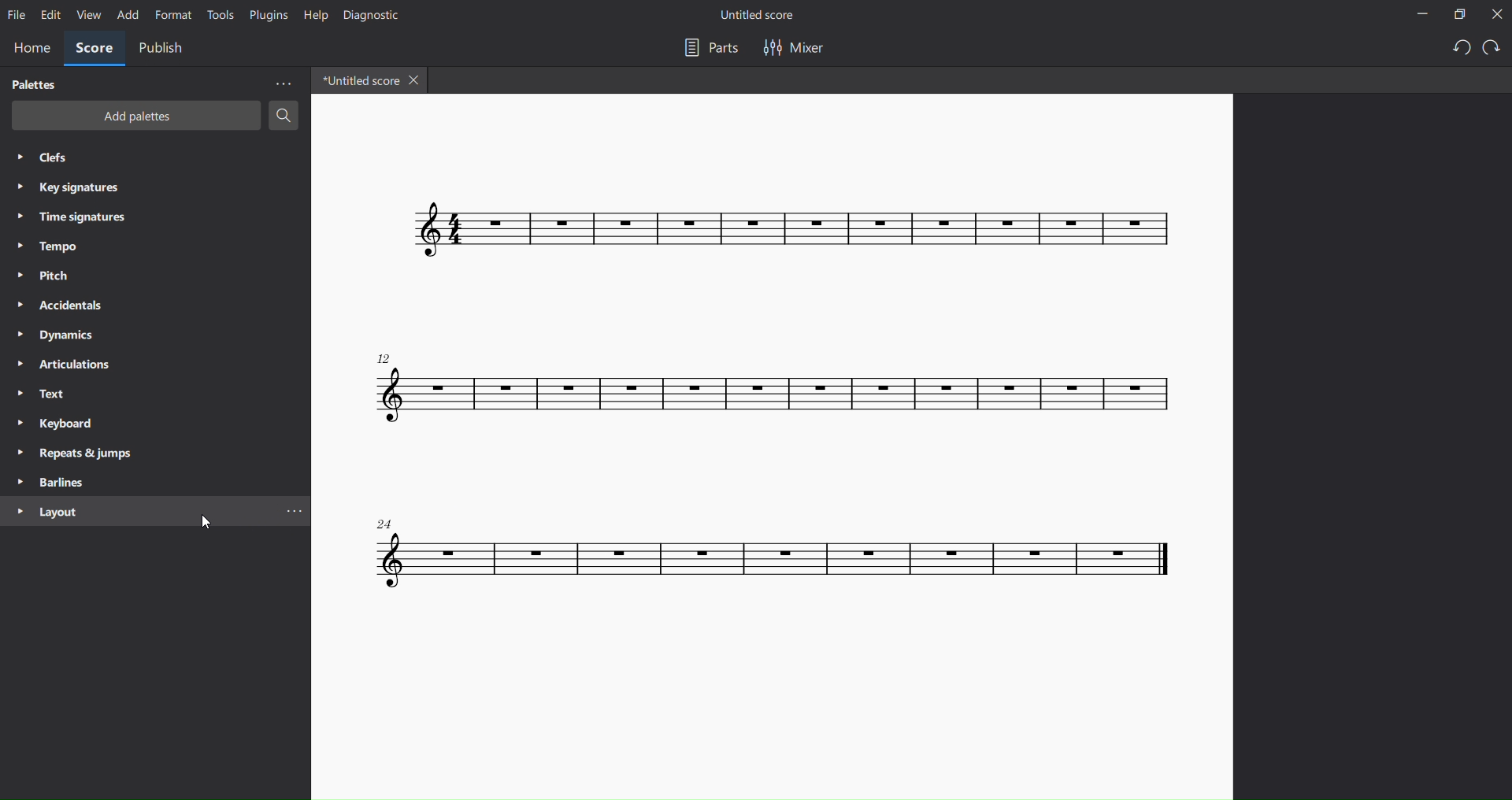  Describe the element at coordinates (59, 334) in the screenshot. I see `dynamics` at that location.